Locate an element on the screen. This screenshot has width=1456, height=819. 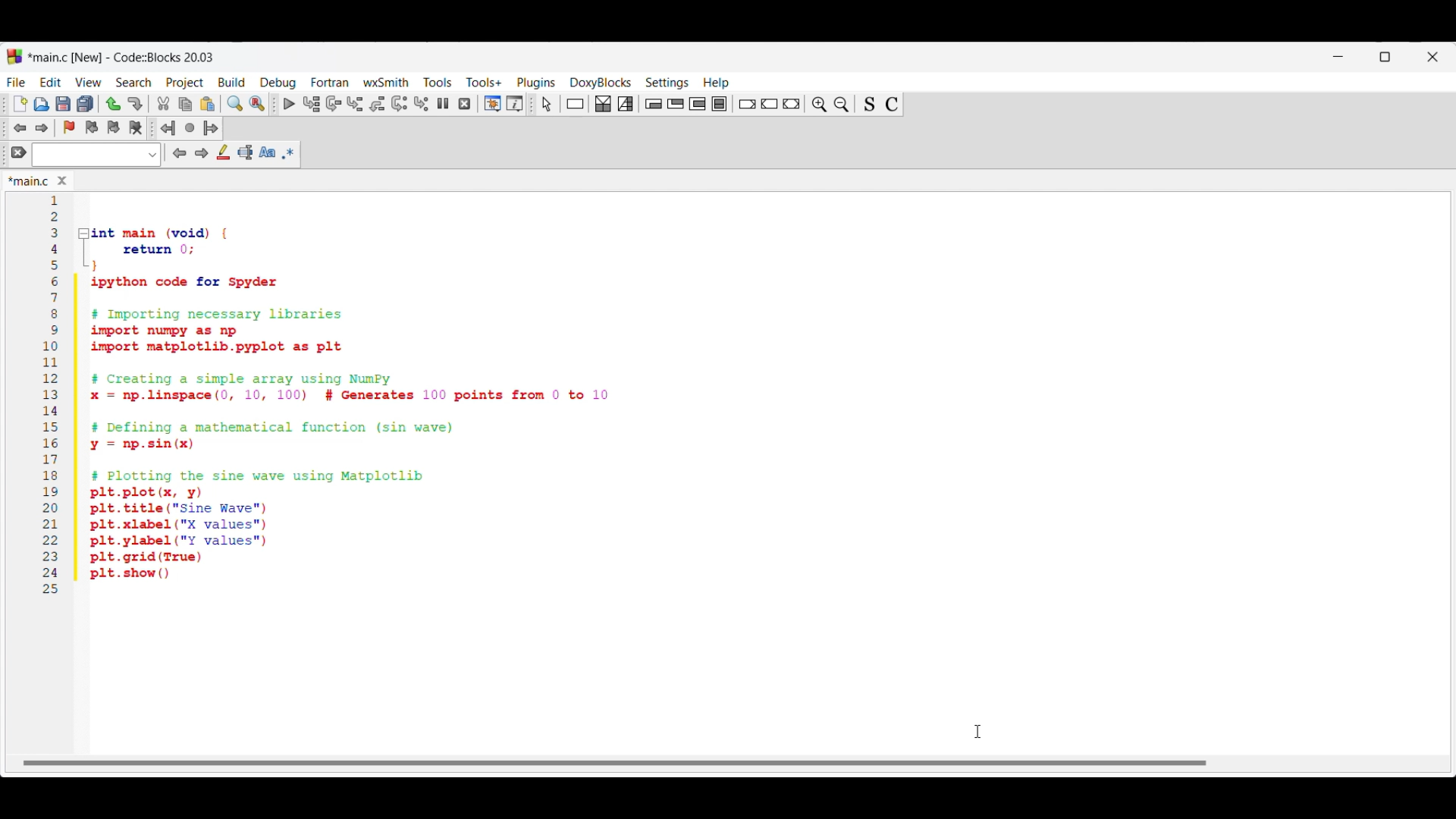
Tools+ menu is located at coordinates (484, 82).